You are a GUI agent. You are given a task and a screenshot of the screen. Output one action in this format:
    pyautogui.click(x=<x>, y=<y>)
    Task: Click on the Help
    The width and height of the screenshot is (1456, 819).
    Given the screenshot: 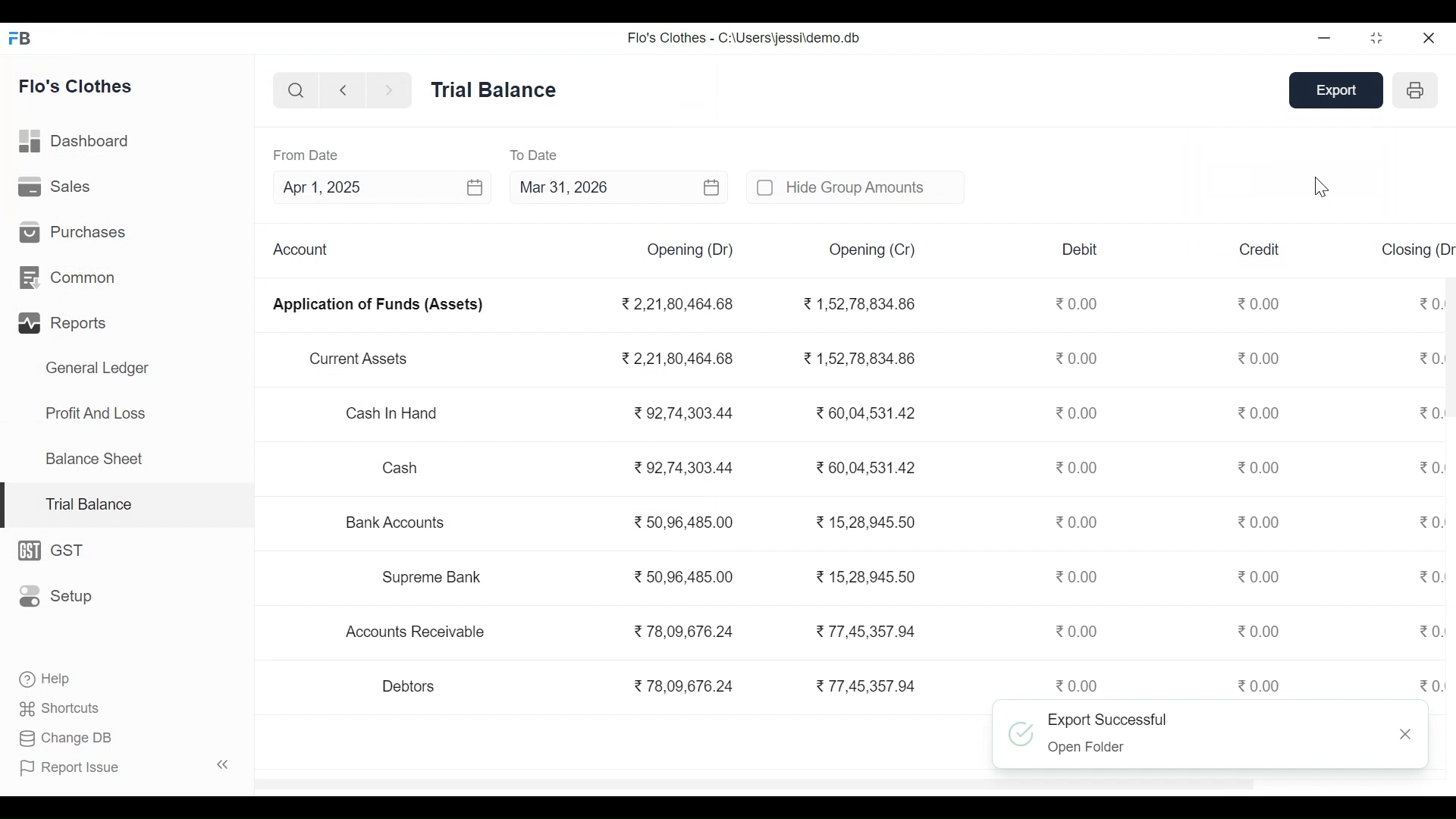 What is the action you would take?
    pyautogui.click(x=42, y=677)
    